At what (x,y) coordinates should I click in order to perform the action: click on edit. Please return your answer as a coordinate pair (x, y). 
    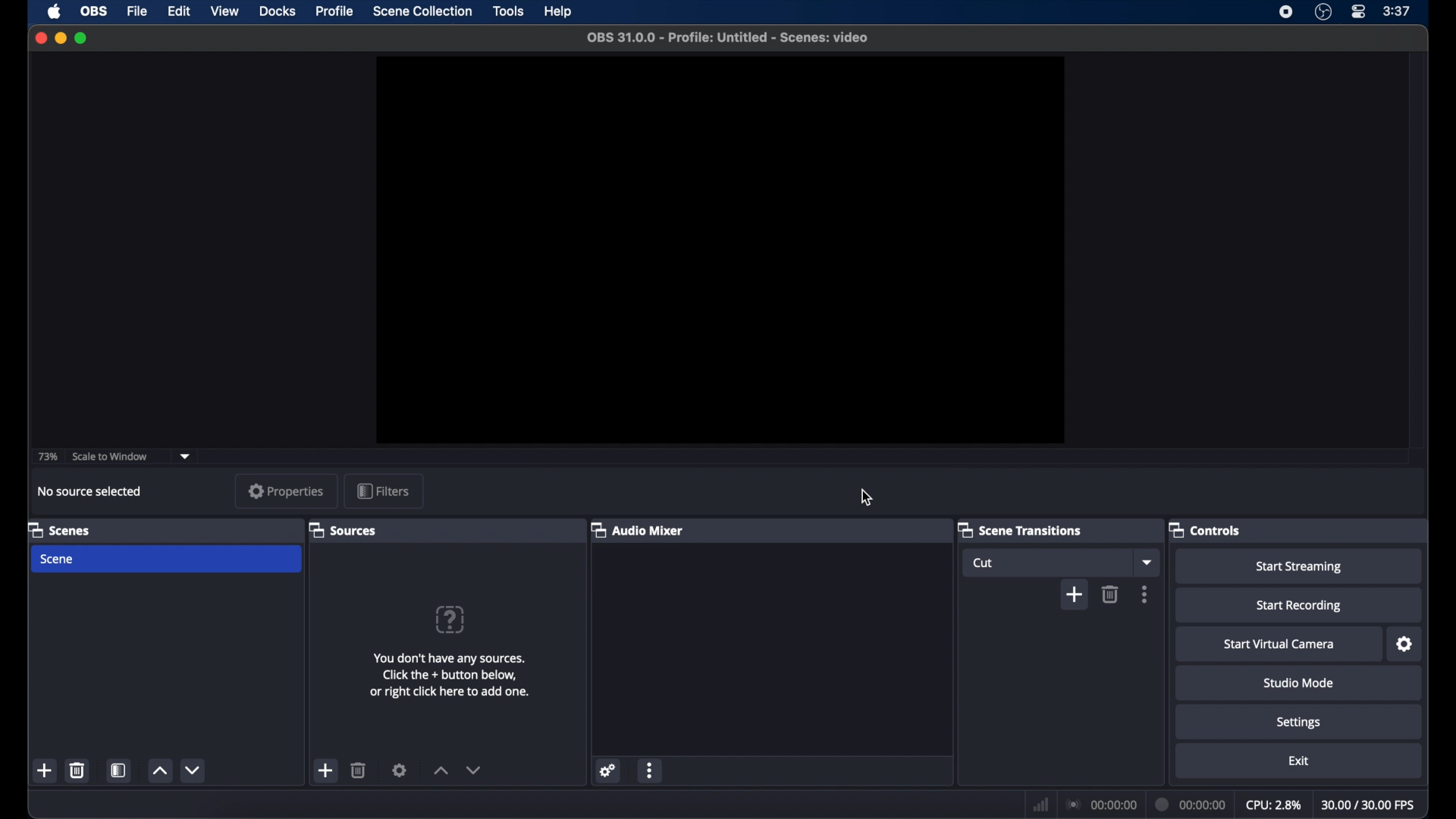
    Looking at the image, I should click on (178, 11).